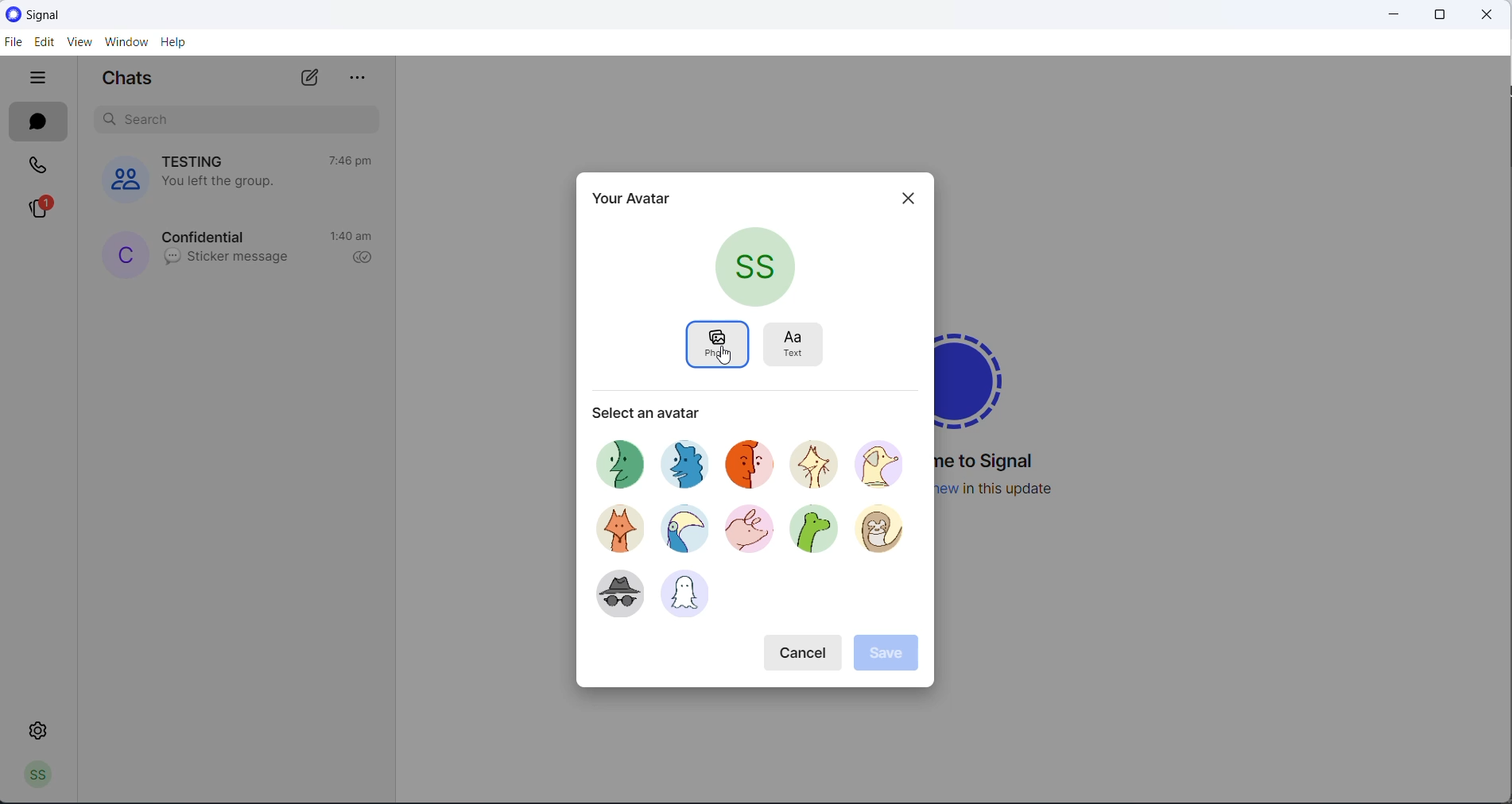 Image resolution: width=1512 pixels, height=804 pixels. I want to click on stories, so click(38, 210).